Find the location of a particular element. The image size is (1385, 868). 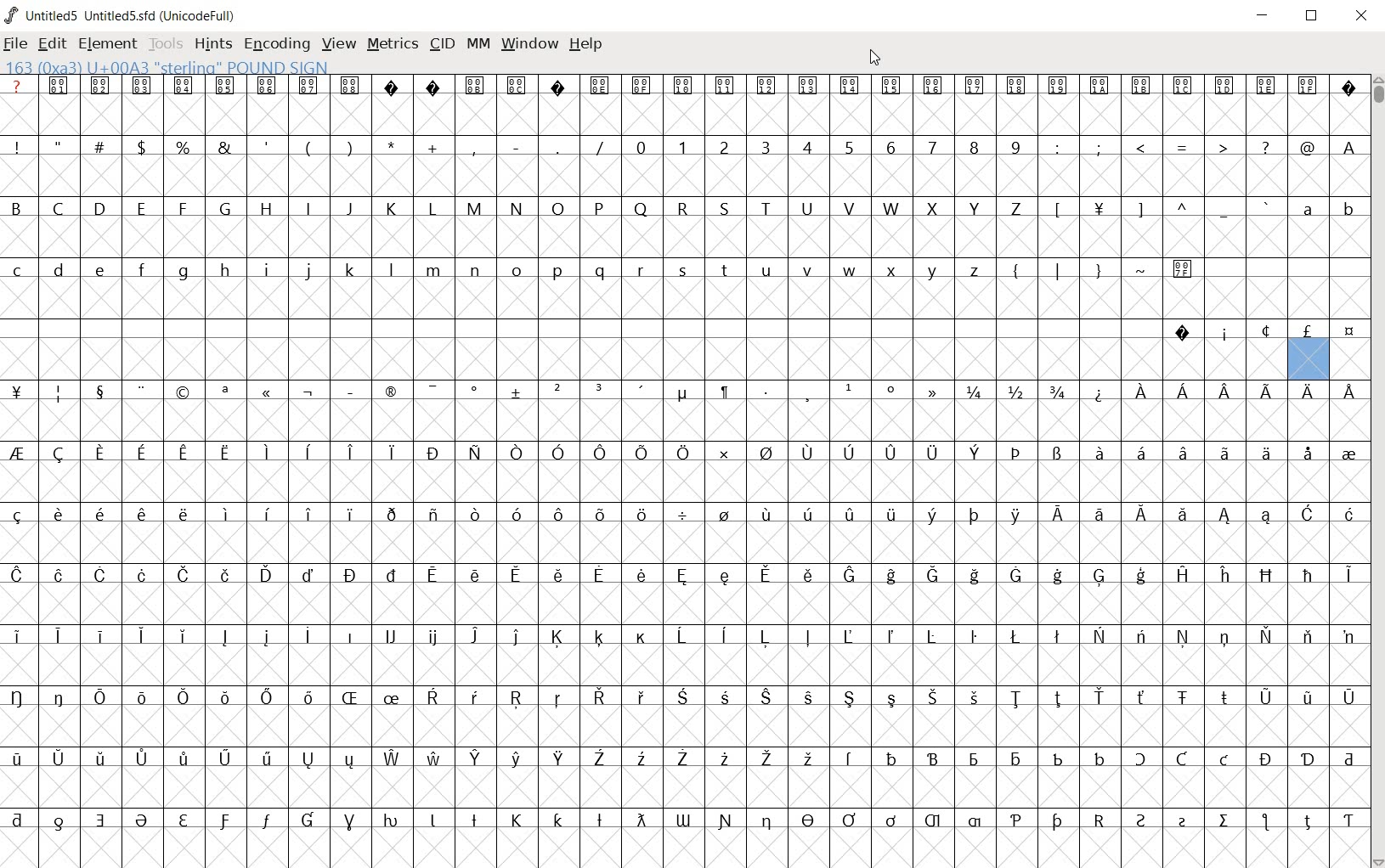

Symbol is located at coordinates (1184, 637).